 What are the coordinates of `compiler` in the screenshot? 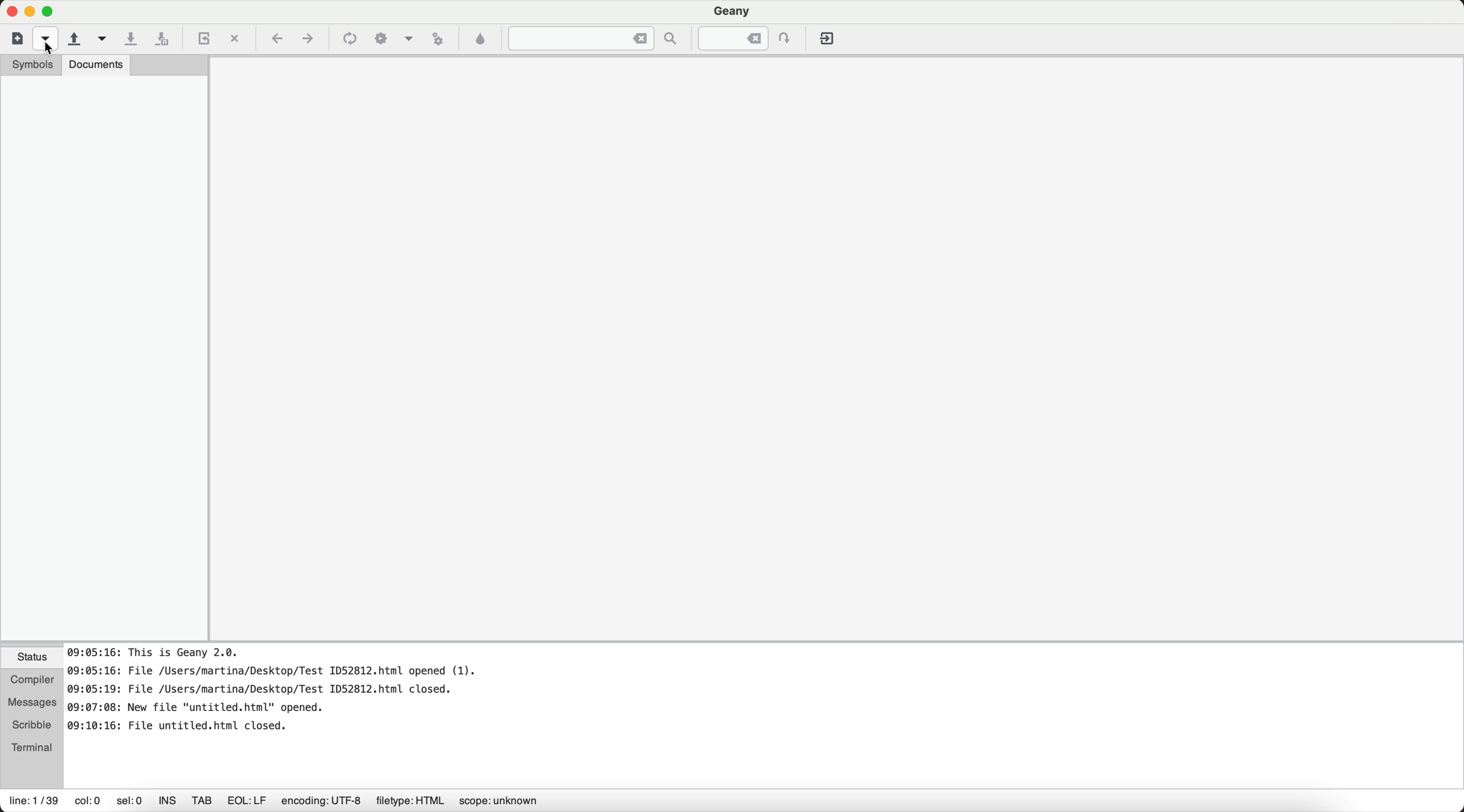 It's located at (30, 680).